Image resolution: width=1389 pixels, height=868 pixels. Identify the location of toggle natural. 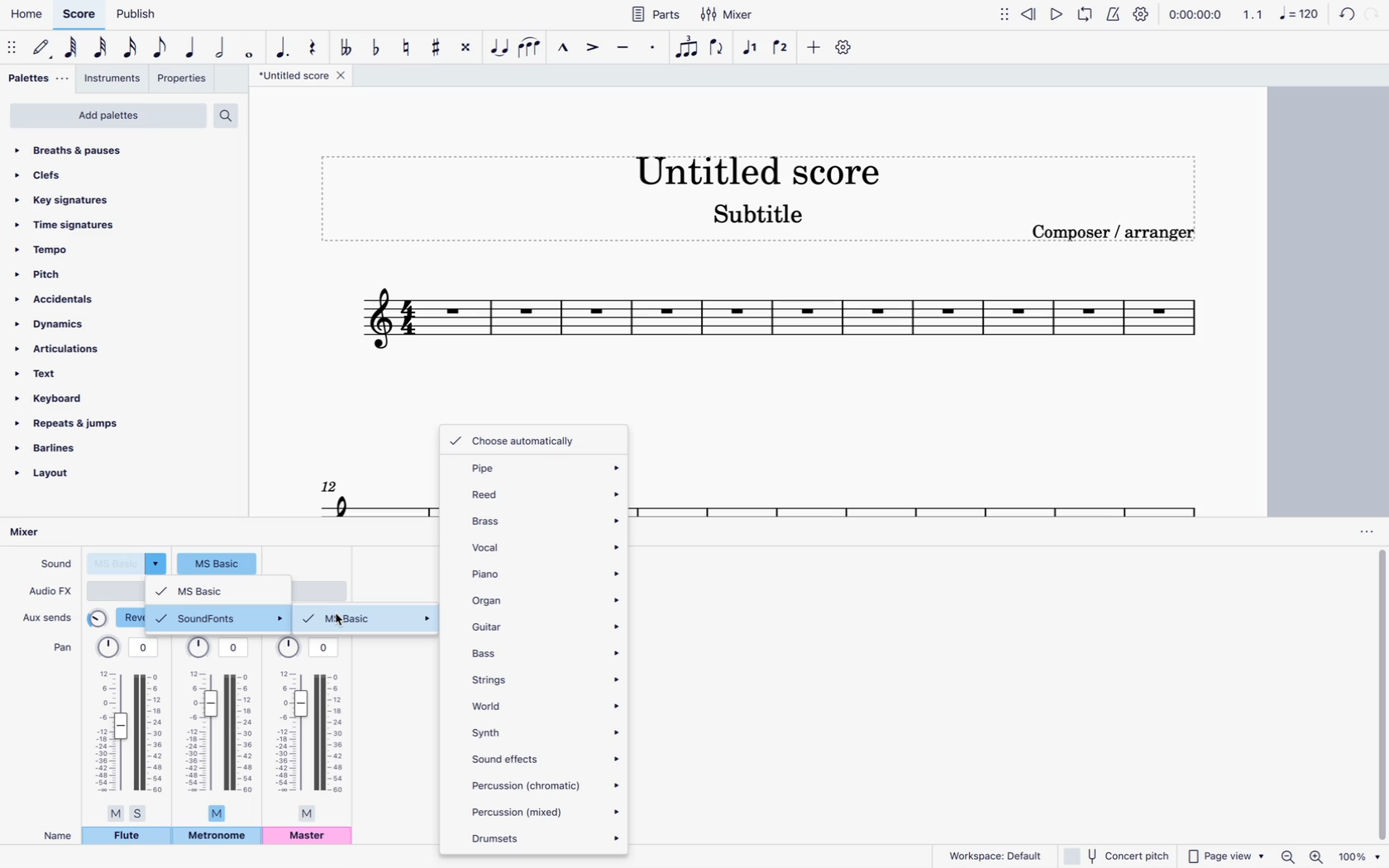
(404, 46).